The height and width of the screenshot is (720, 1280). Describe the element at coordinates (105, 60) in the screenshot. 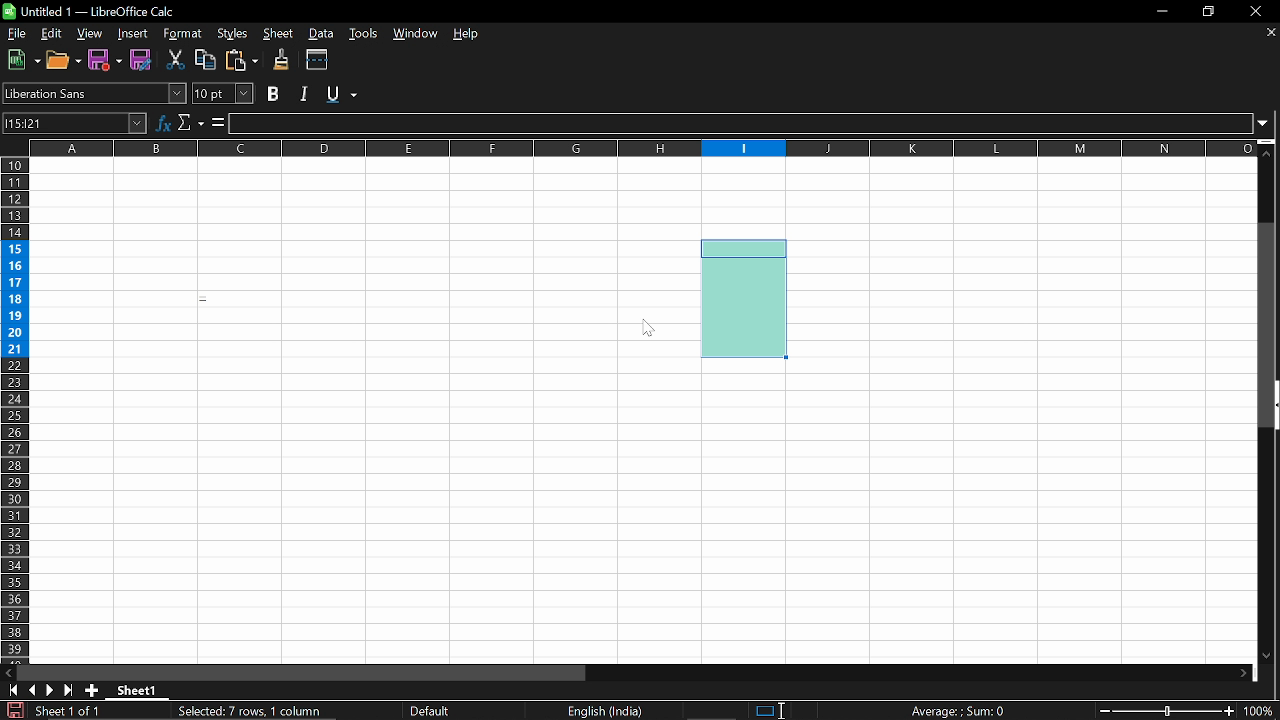

I see `Save as` at that location.